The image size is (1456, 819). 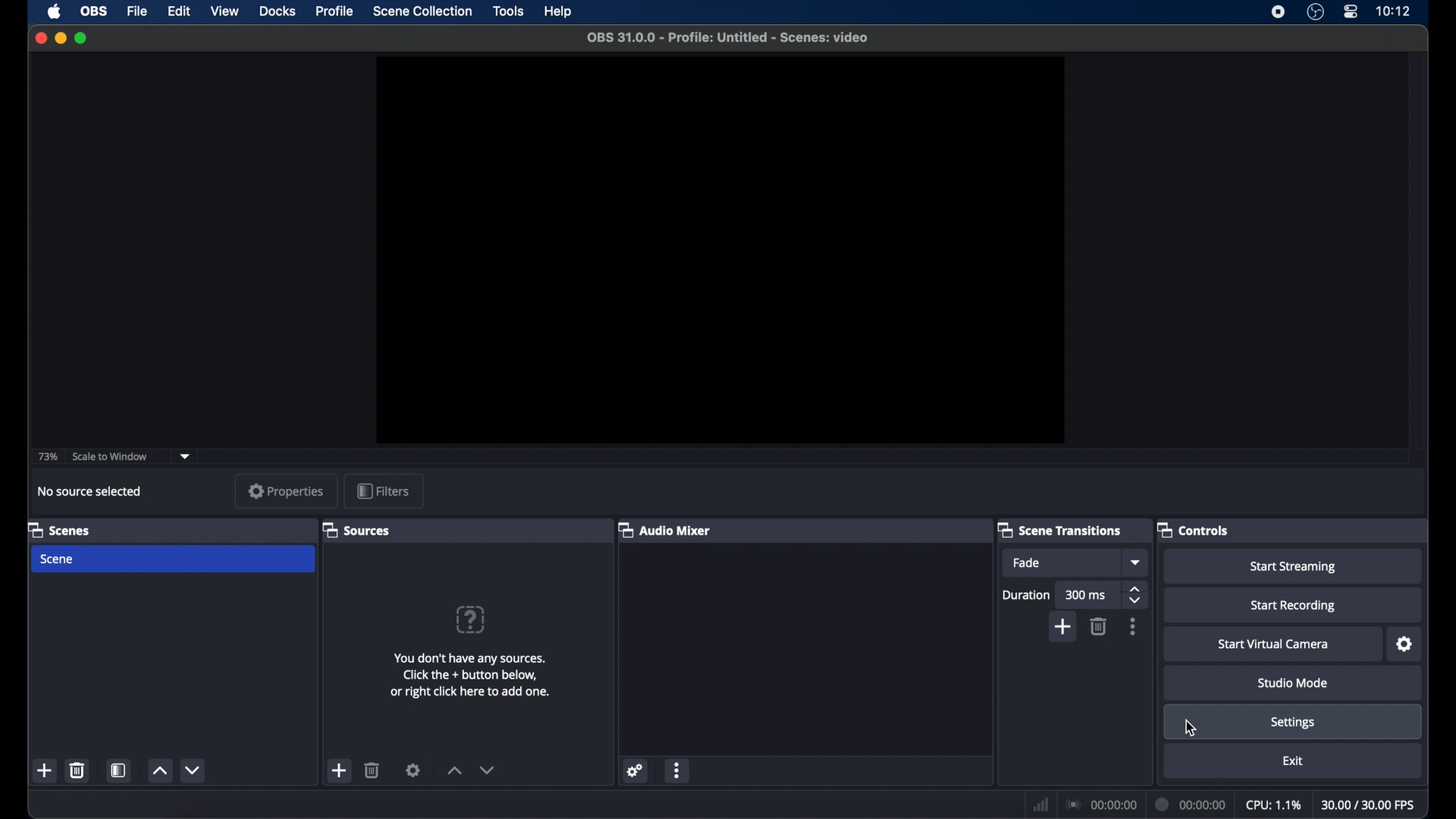 What do you see at coordinates (83, 38) in the screenshot?
I see `maximize` at bounding box center [83, 38].